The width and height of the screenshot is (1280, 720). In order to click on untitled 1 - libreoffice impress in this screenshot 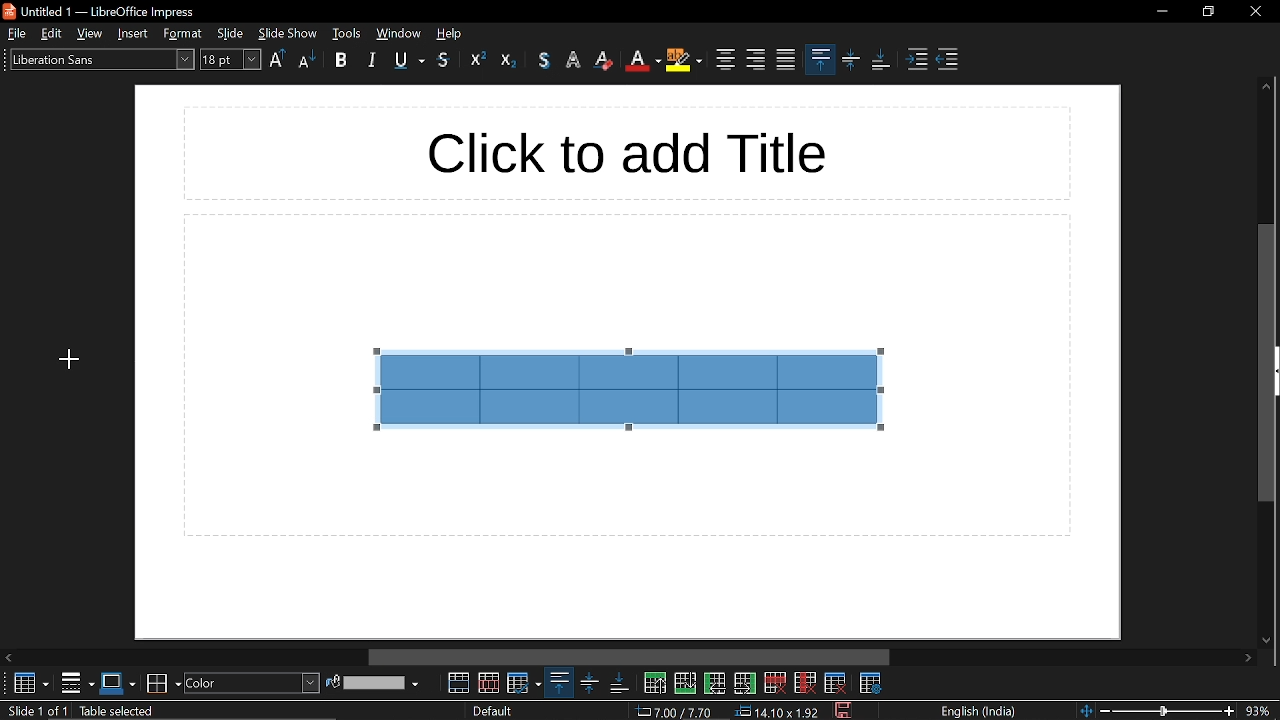, I will do `click(102, 11)`.